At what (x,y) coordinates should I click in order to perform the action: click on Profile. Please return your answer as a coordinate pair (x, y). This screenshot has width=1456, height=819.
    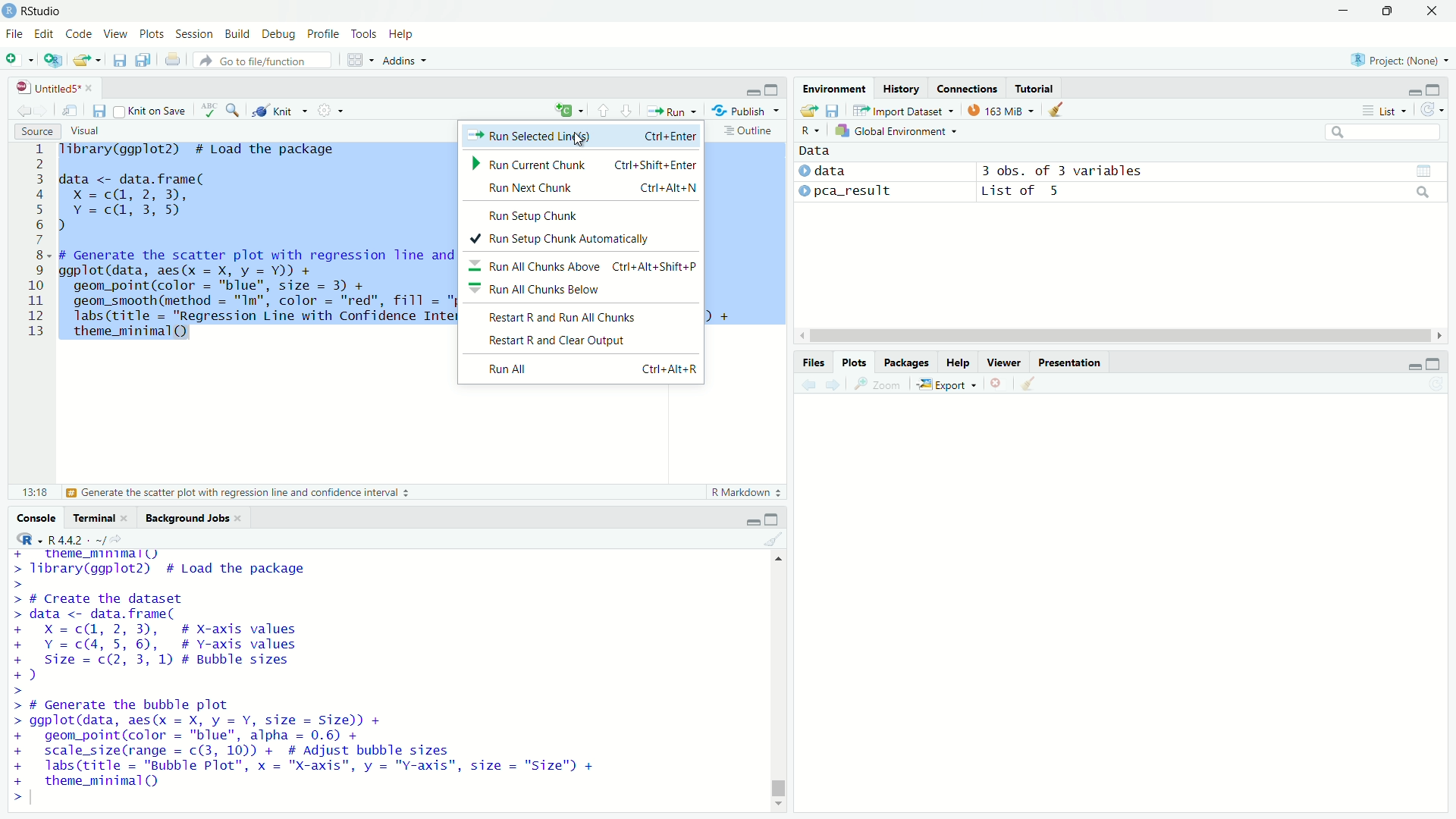
    Looking at the image, I should click on (324, 33).